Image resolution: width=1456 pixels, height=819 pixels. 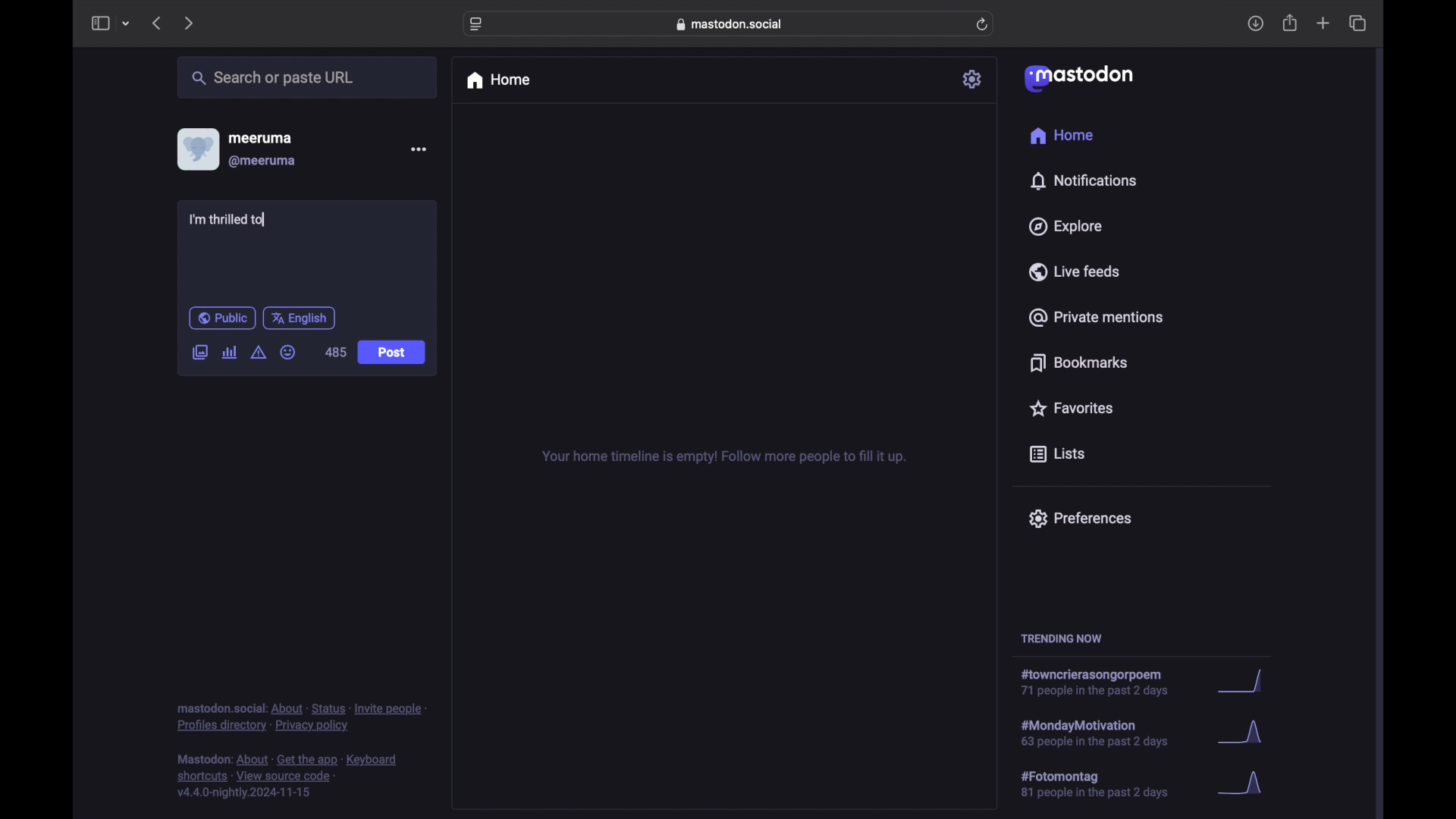 What do you see at coordinates (1063, 135) in the screenshot?
I see `home` at bounding box center [1063, 135].